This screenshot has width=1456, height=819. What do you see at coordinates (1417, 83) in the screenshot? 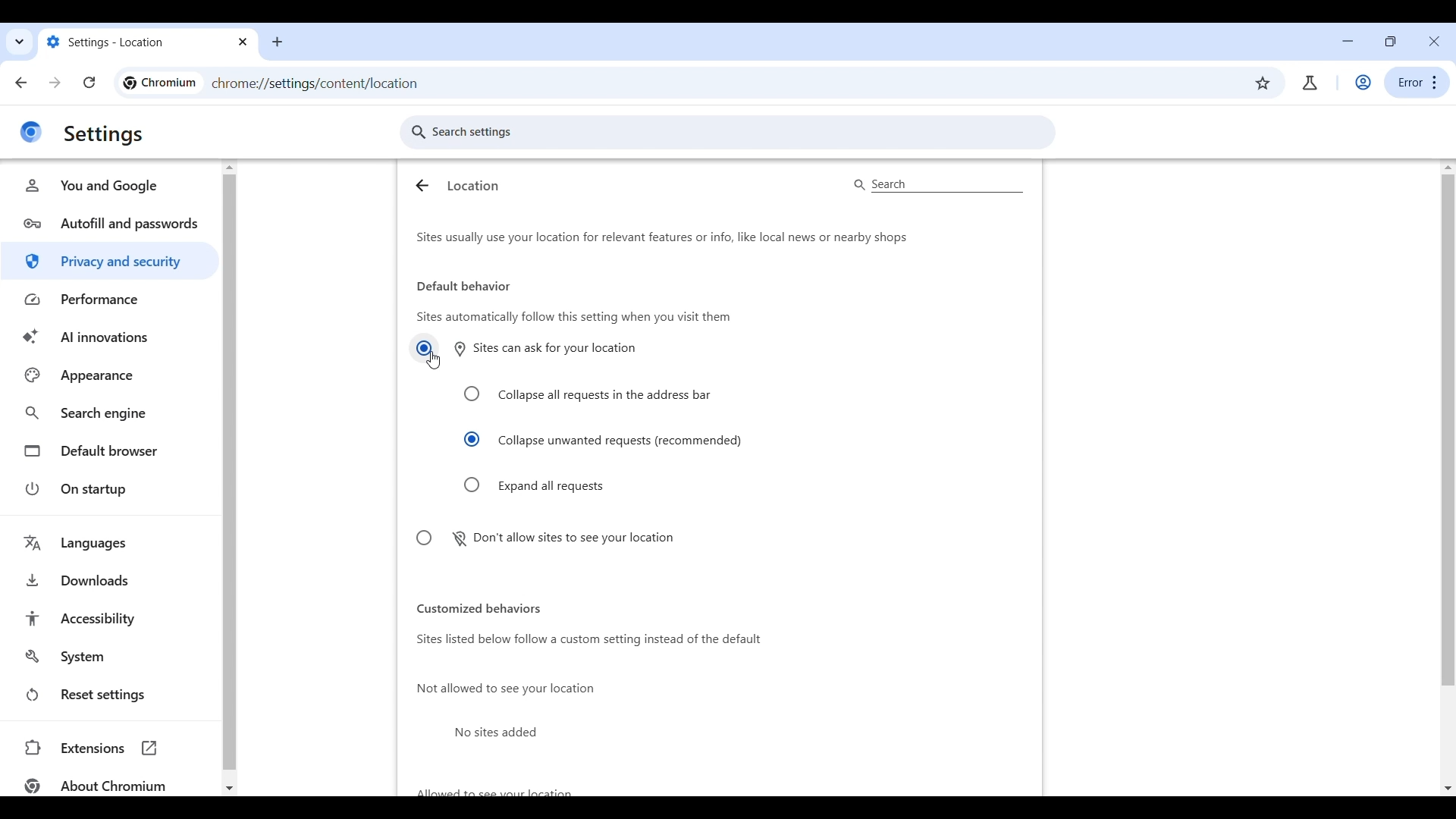
I see `error` at bounding box center [1417, 83].